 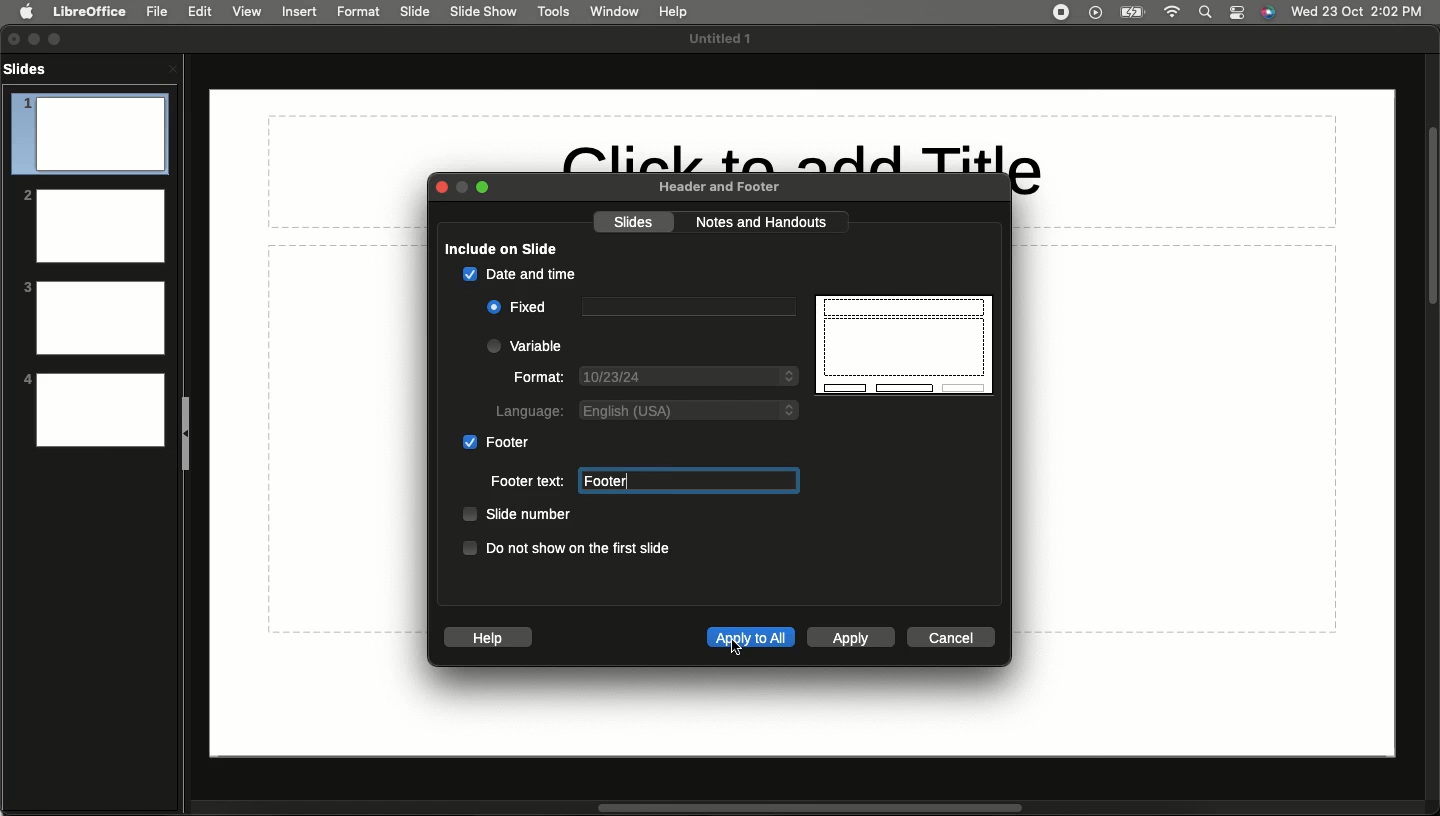 What do you see at coordinates (359, 11) in the screenshot?
I see `Format` at bounding box center [359, 11].